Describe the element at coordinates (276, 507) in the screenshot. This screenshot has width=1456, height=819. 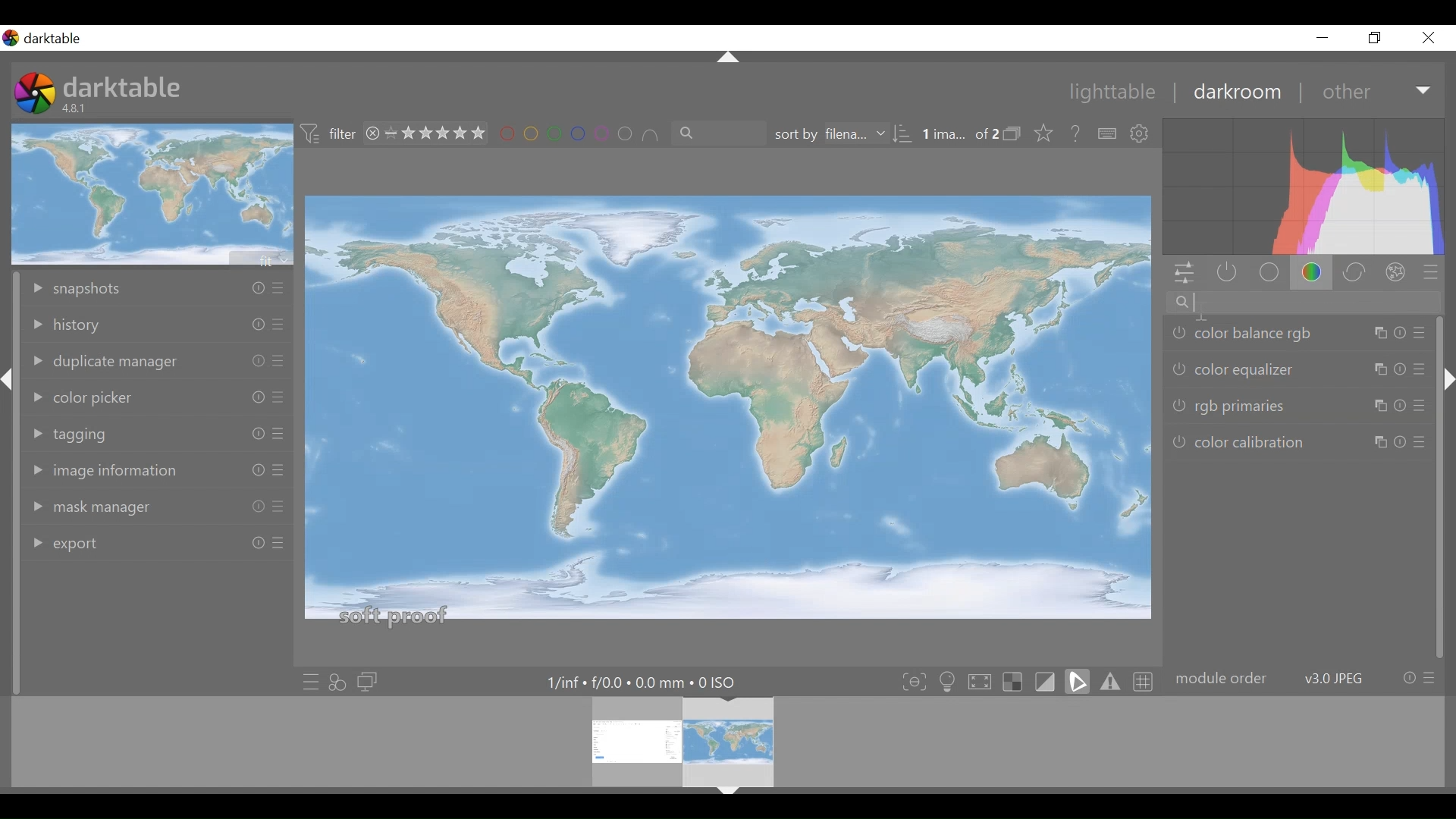
I see `` at that location.